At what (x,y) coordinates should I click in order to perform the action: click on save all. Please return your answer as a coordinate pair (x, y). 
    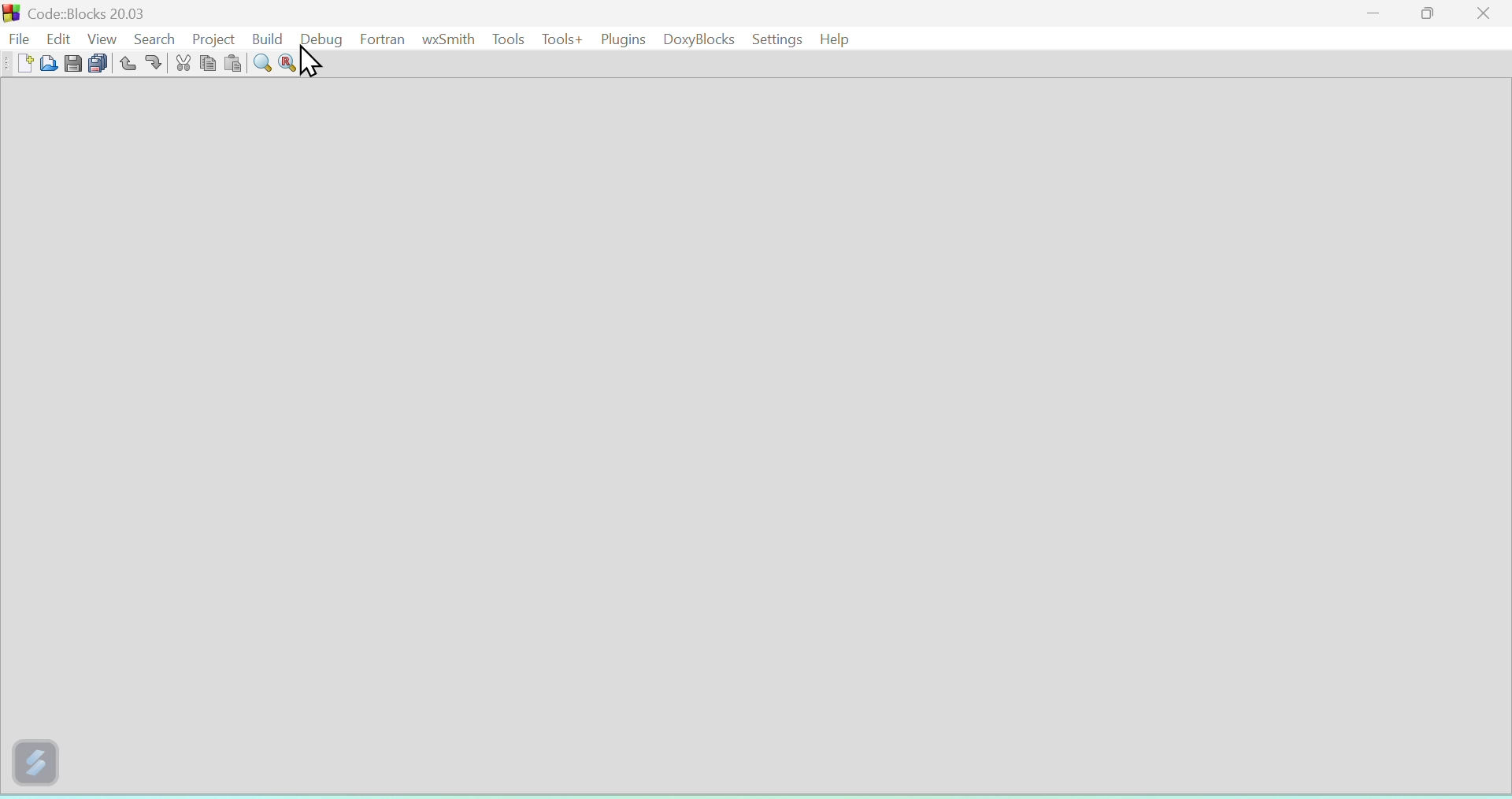
    Looking at the image, I should click on (97, 64).